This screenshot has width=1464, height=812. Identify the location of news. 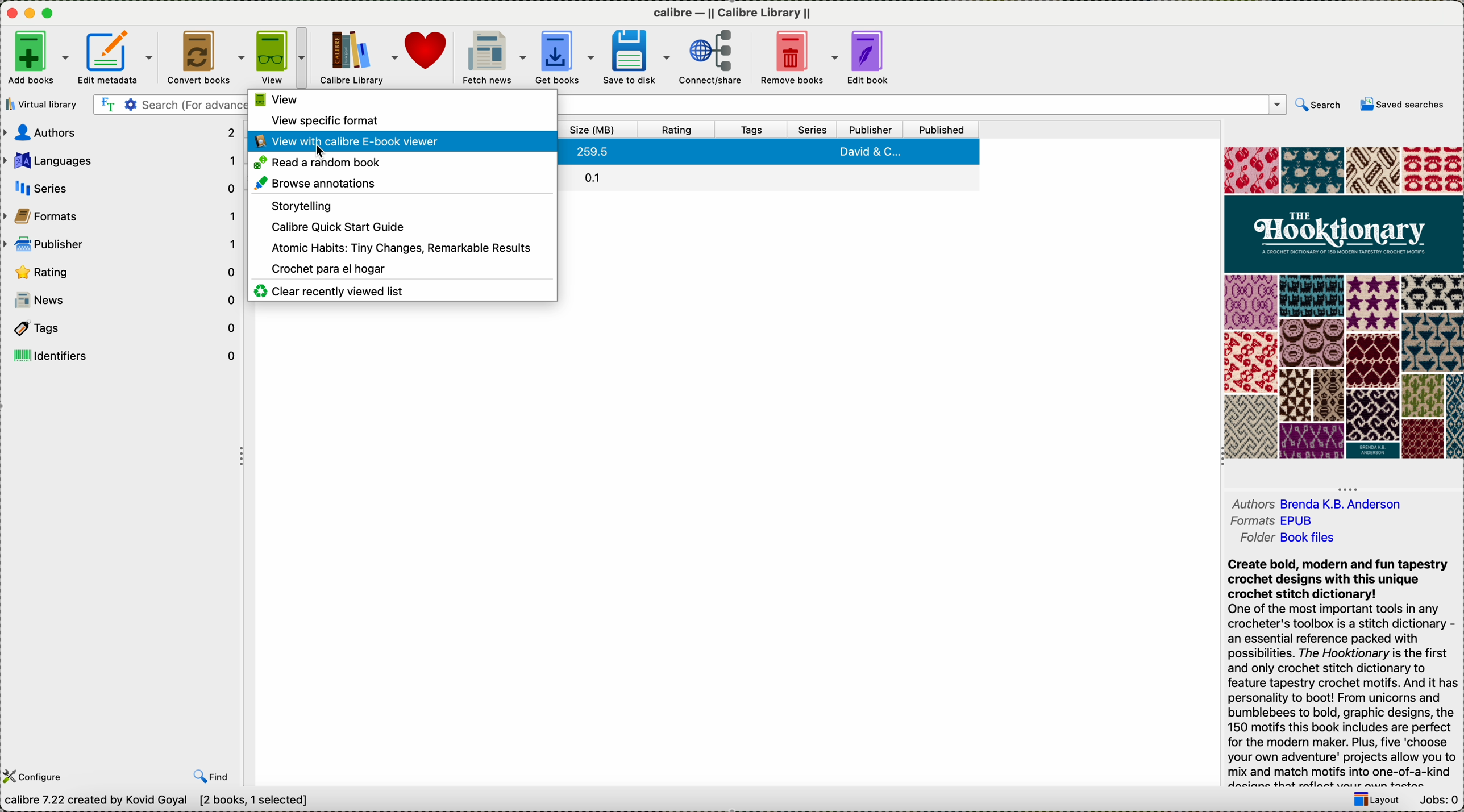
(122, 299).